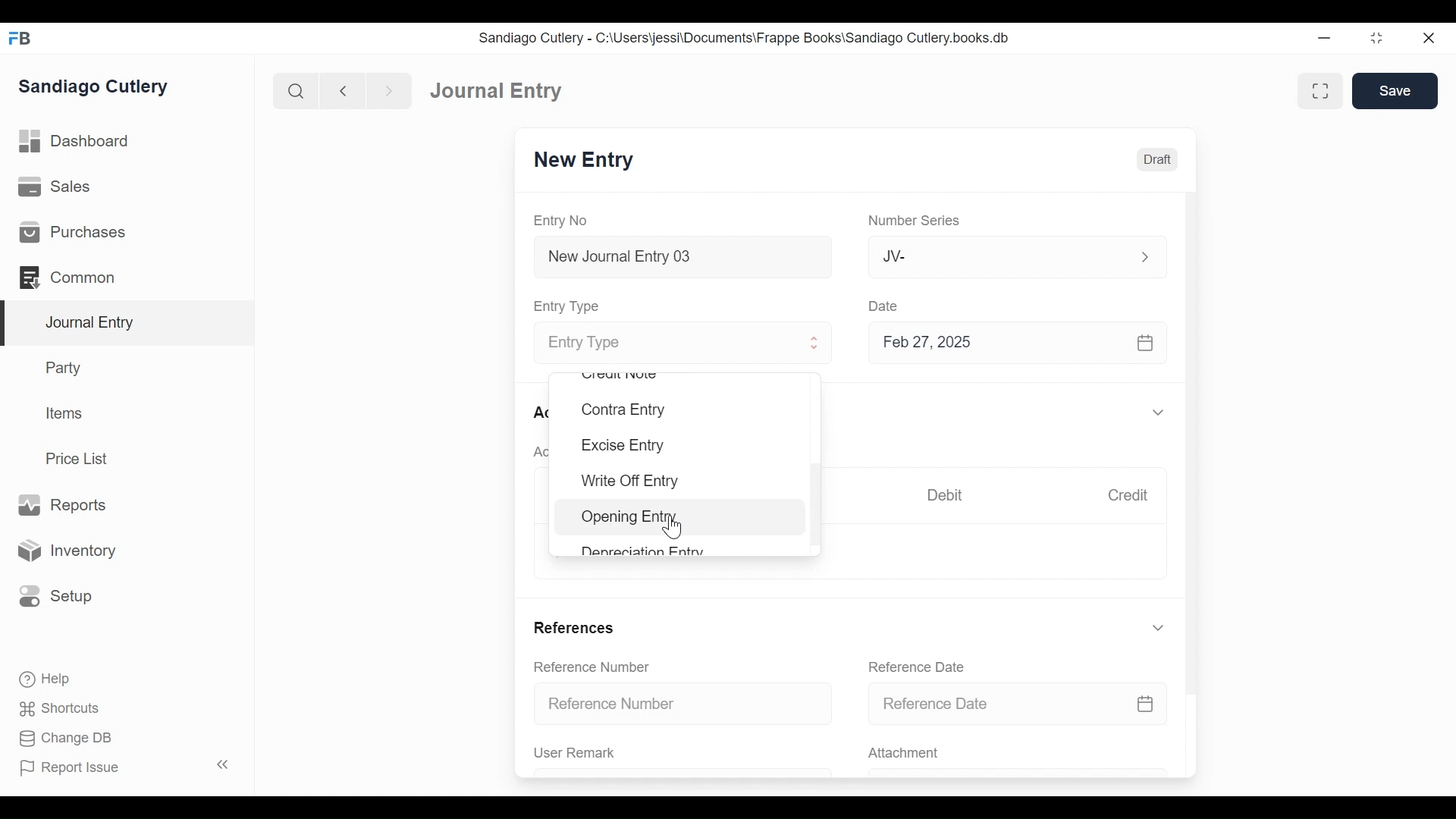 The image size is (1456, 819). I want to click on Number Series, so click(912, 221).